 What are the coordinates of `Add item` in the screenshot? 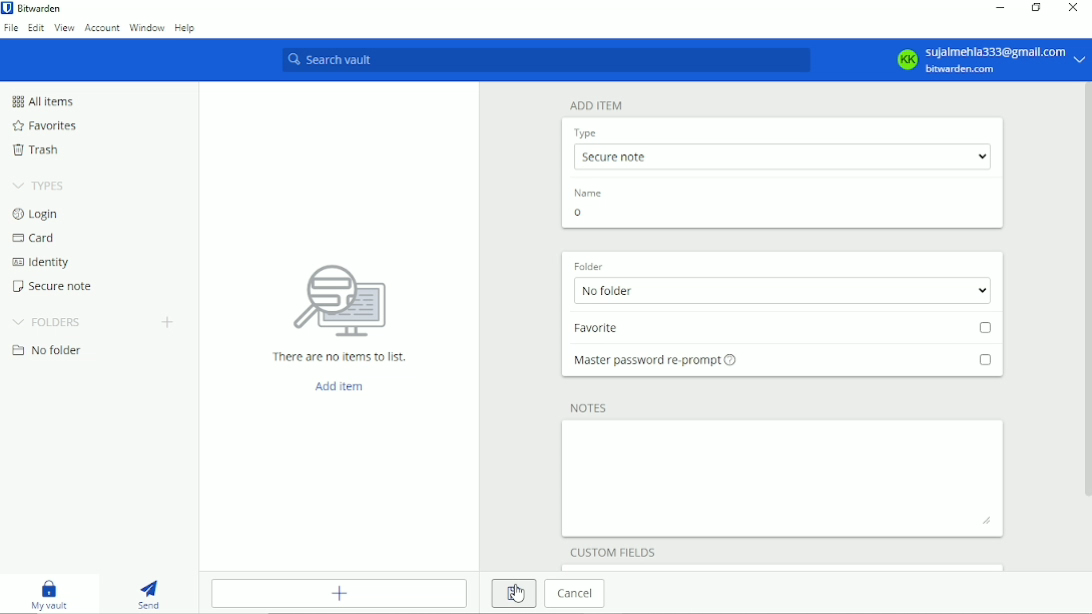 It's located at (341, 594).